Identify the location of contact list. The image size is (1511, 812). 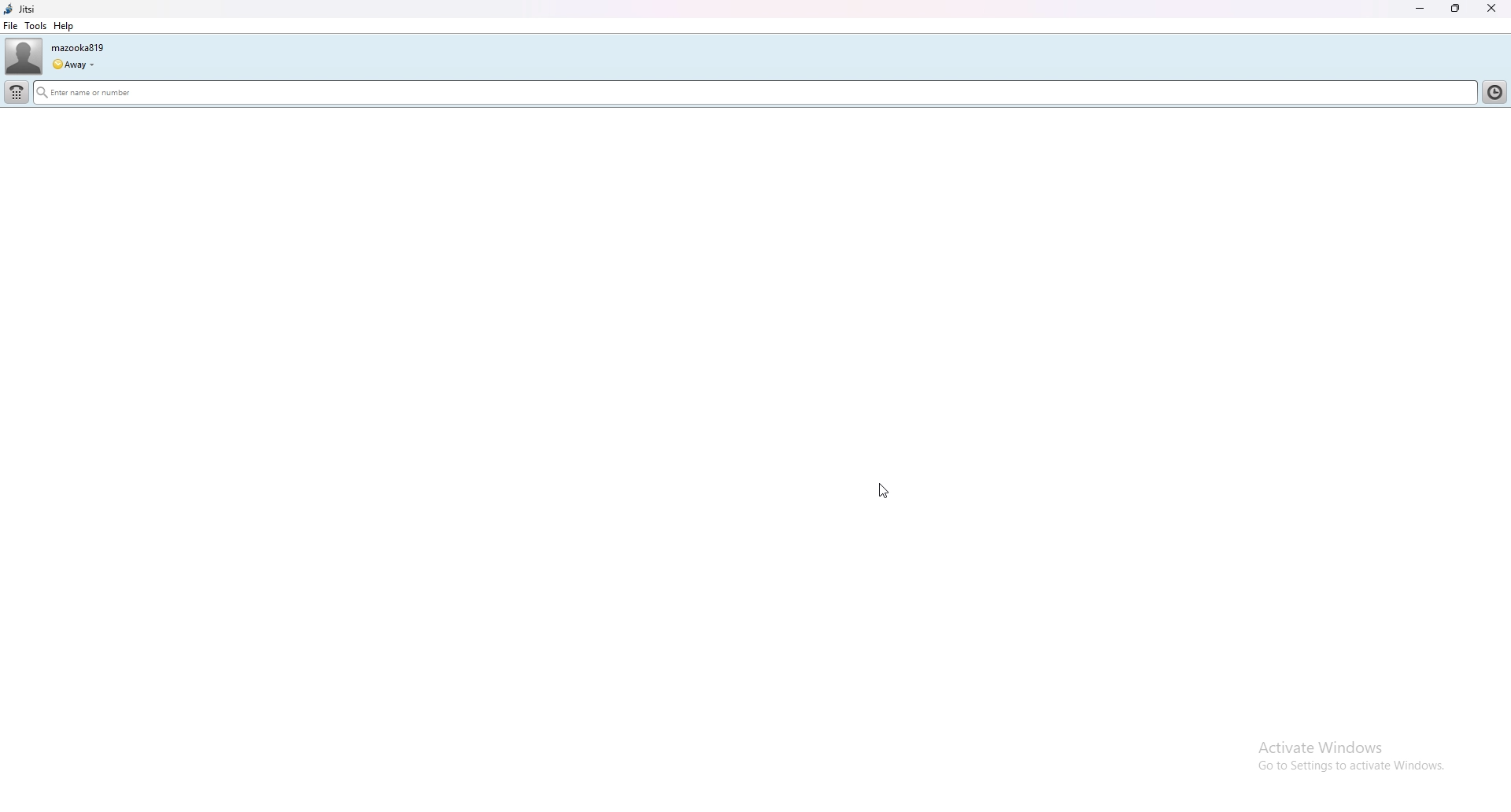
(1498, 90).